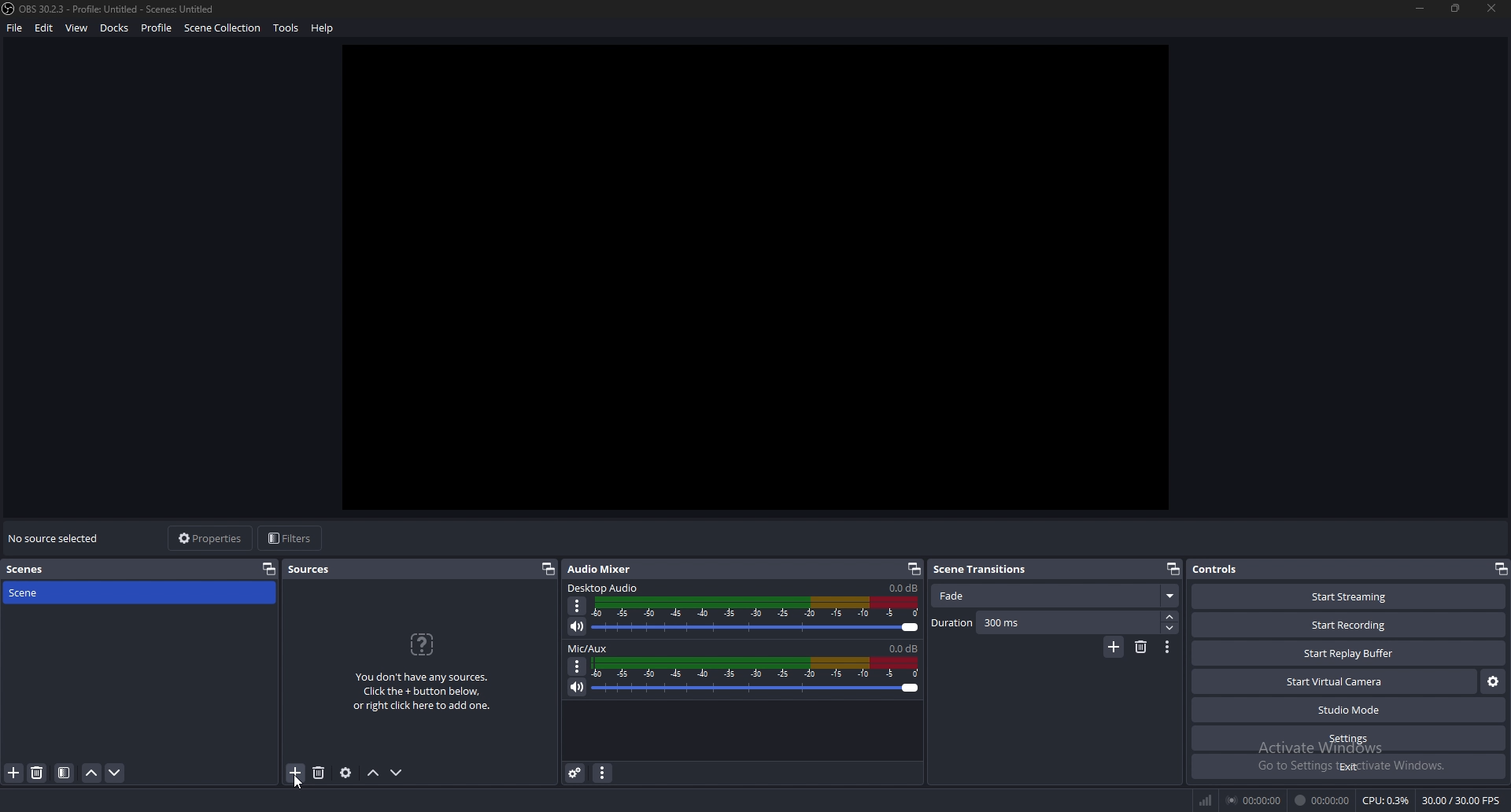 The width and height of the screenshot is (1511, 812). Describe the element at coordinates (578, 606) in the screenshot. I see `options` at that location.